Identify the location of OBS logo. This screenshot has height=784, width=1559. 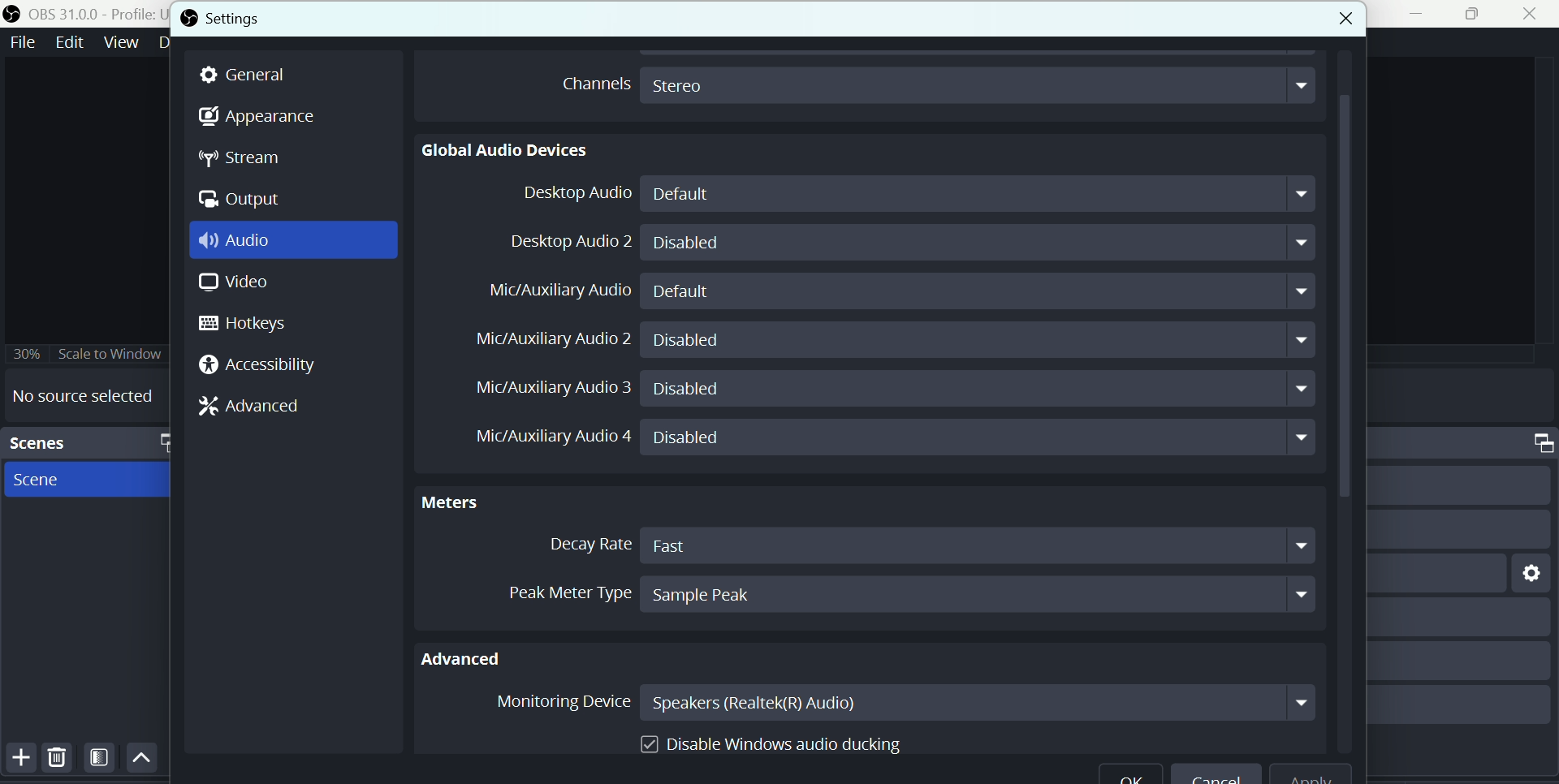
(188, 18).